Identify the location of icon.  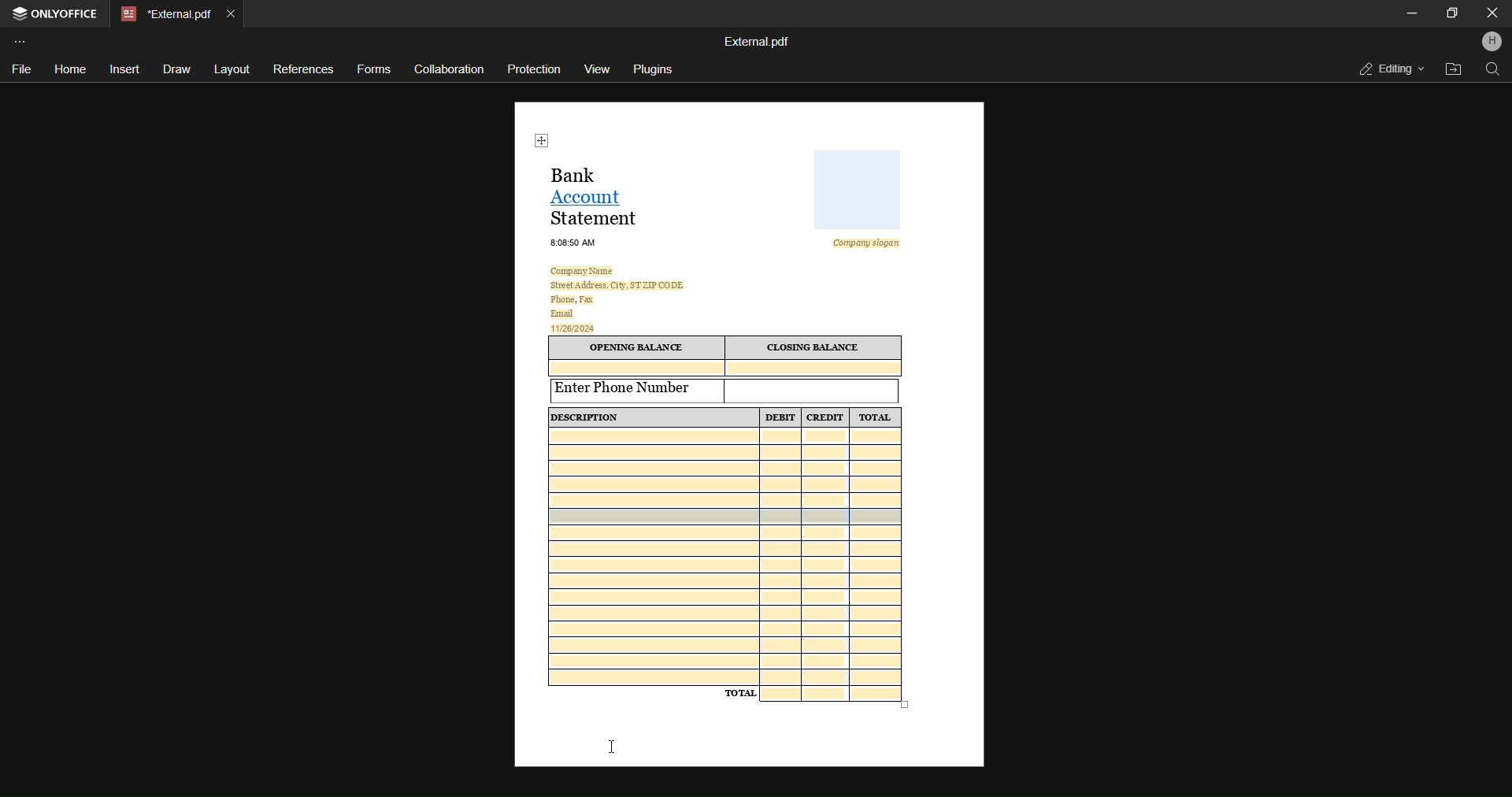
(543, 140).